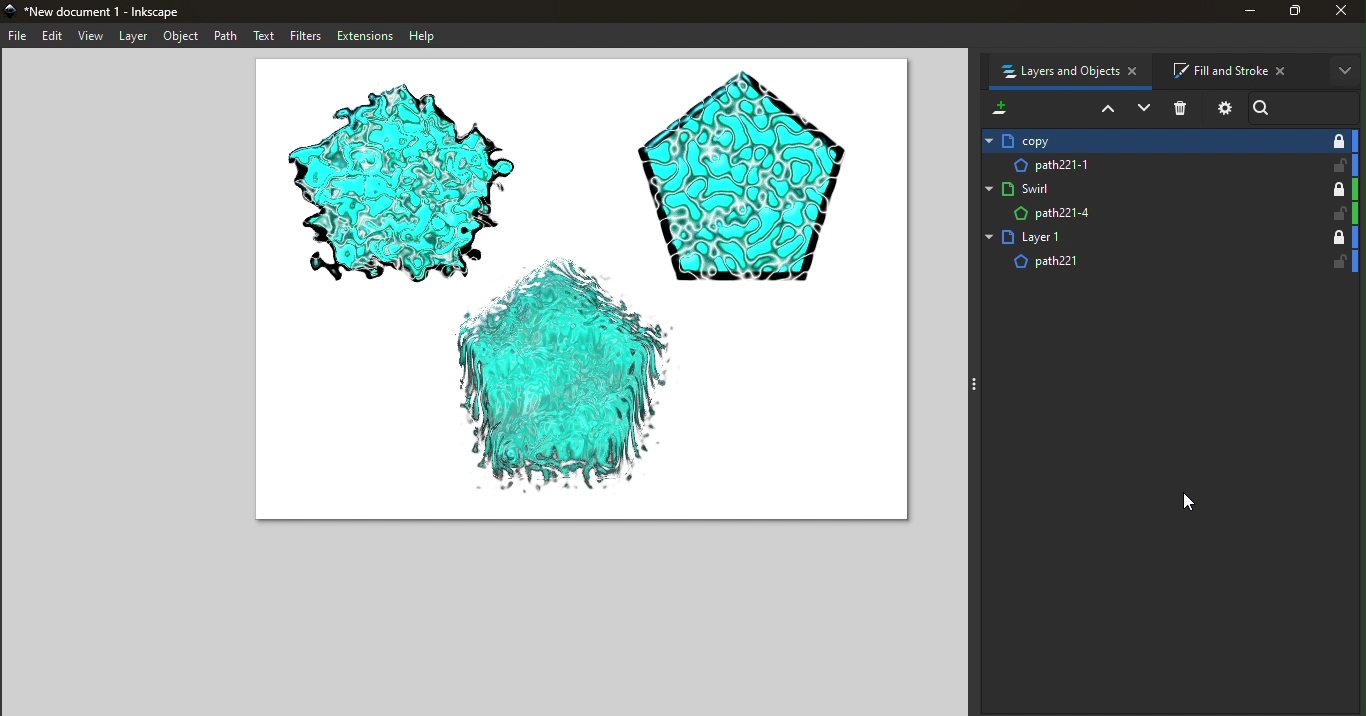 This screenshot has height=716, width=1366. What do you see at coordinates (184, 36) in the screenshot?
I see `Object` at bounding box center [184, 36].